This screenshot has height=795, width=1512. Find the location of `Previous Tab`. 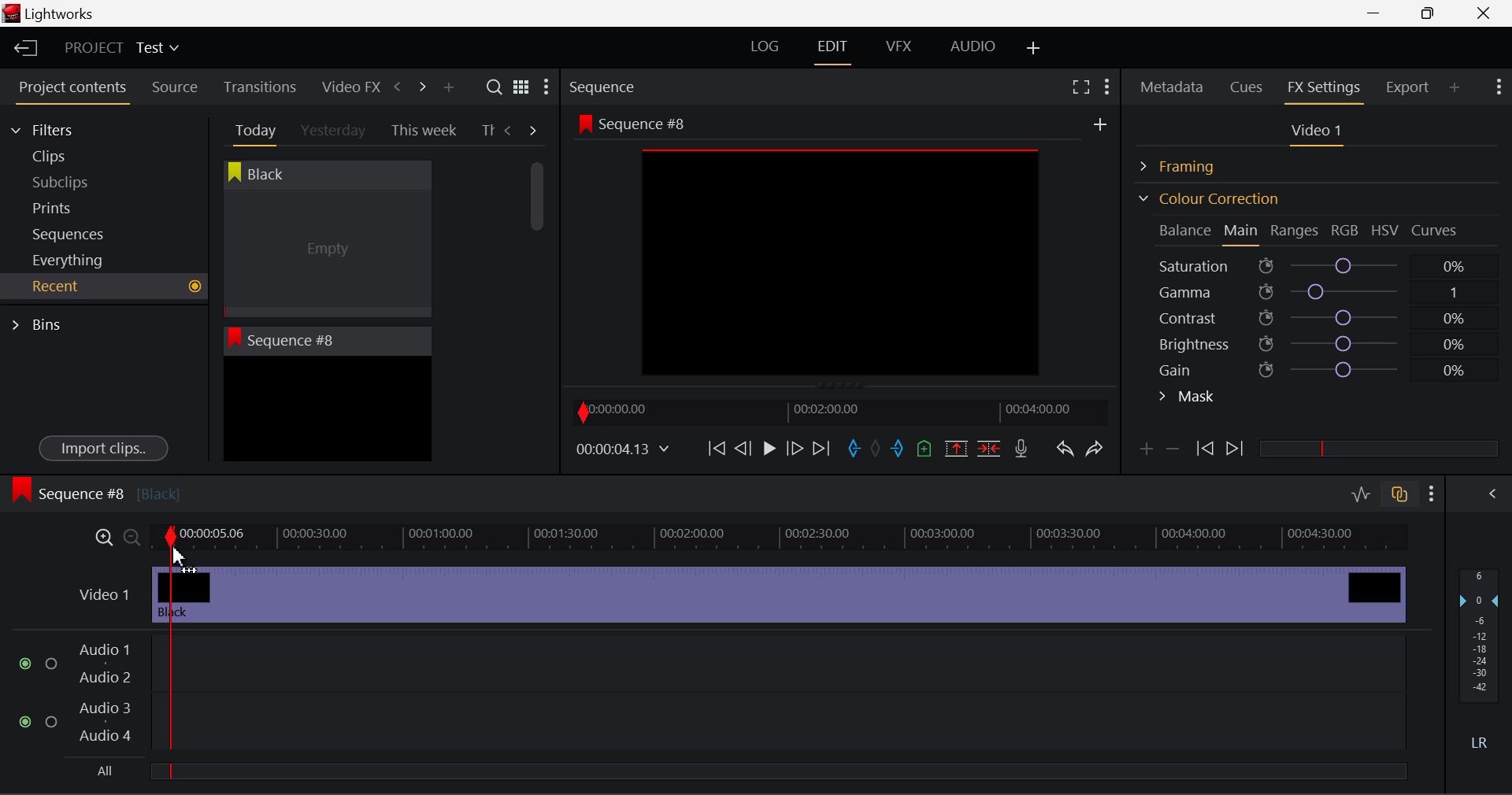

Previous Tab is located at coordinates (510, 130).